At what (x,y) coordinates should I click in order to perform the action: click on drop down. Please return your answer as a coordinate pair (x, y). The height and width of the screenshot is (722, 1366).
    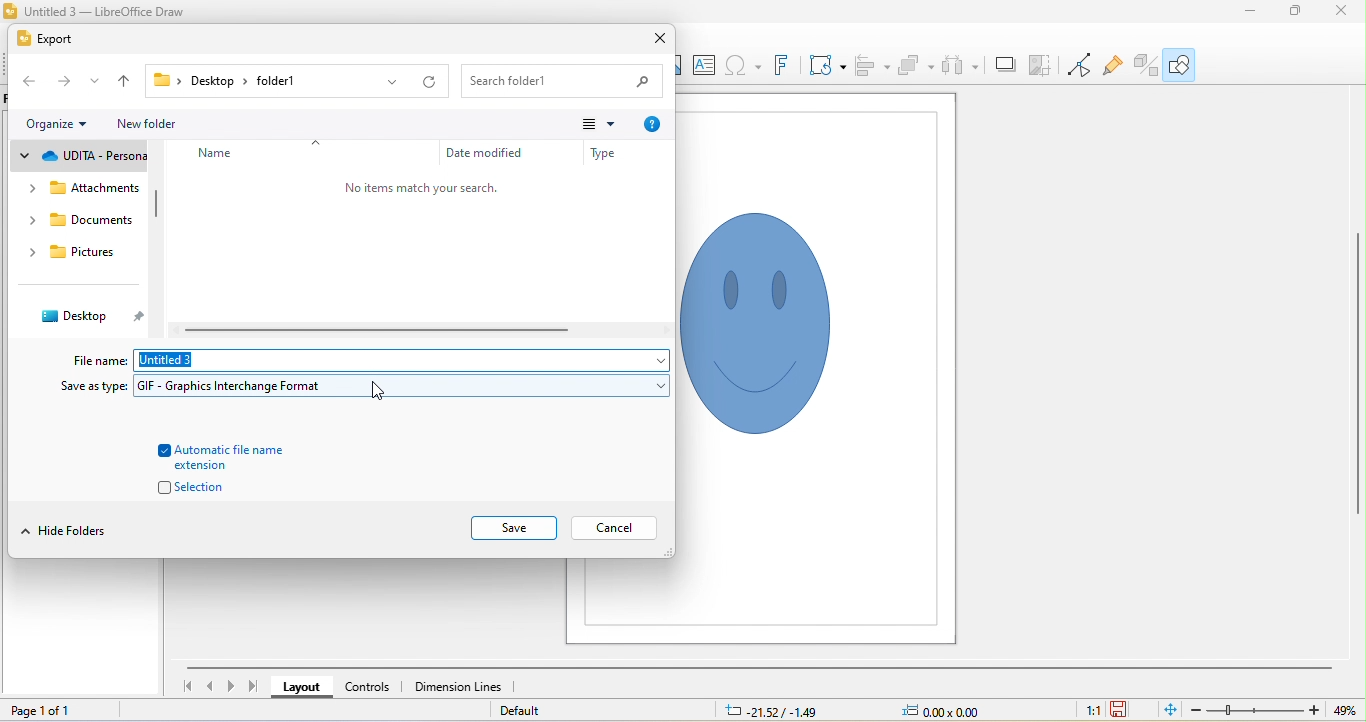
    Looking at the image, I should click on (94, 81).